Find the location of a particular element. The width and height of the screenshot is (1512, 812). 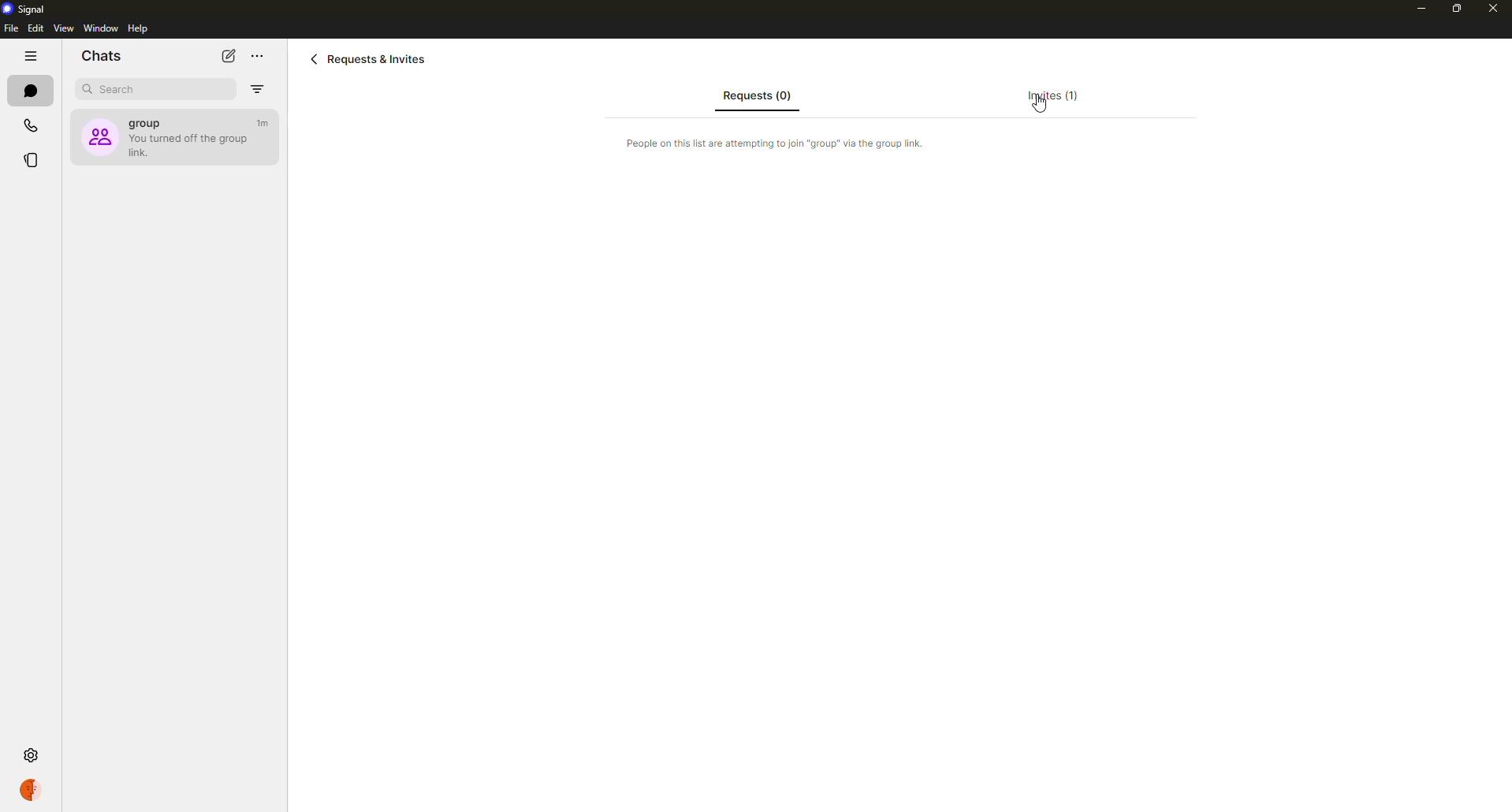

edit is located at coordinates (36, 29).